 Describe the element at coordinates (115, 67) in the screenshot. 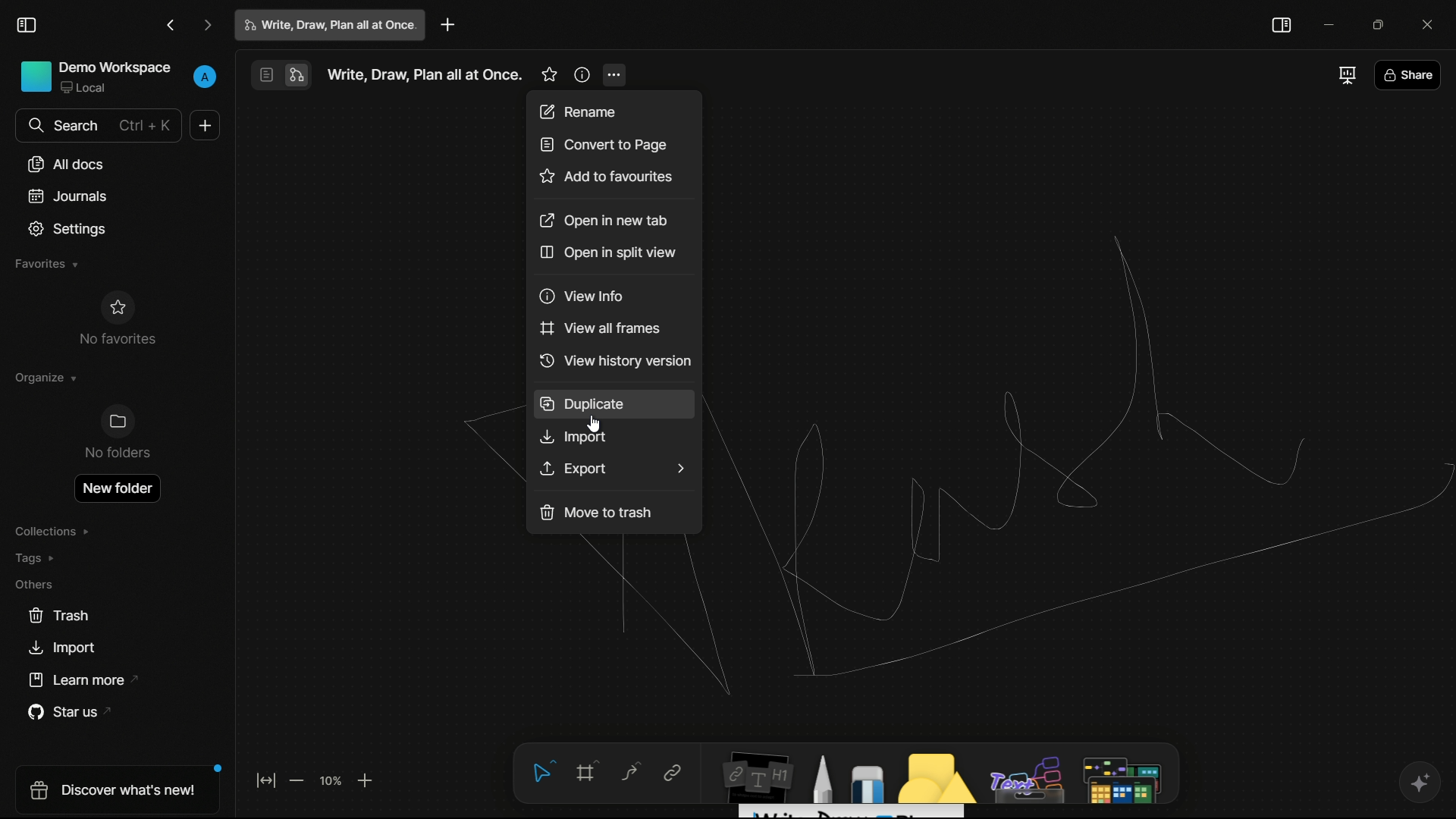

I see `demo workspace` at that location.